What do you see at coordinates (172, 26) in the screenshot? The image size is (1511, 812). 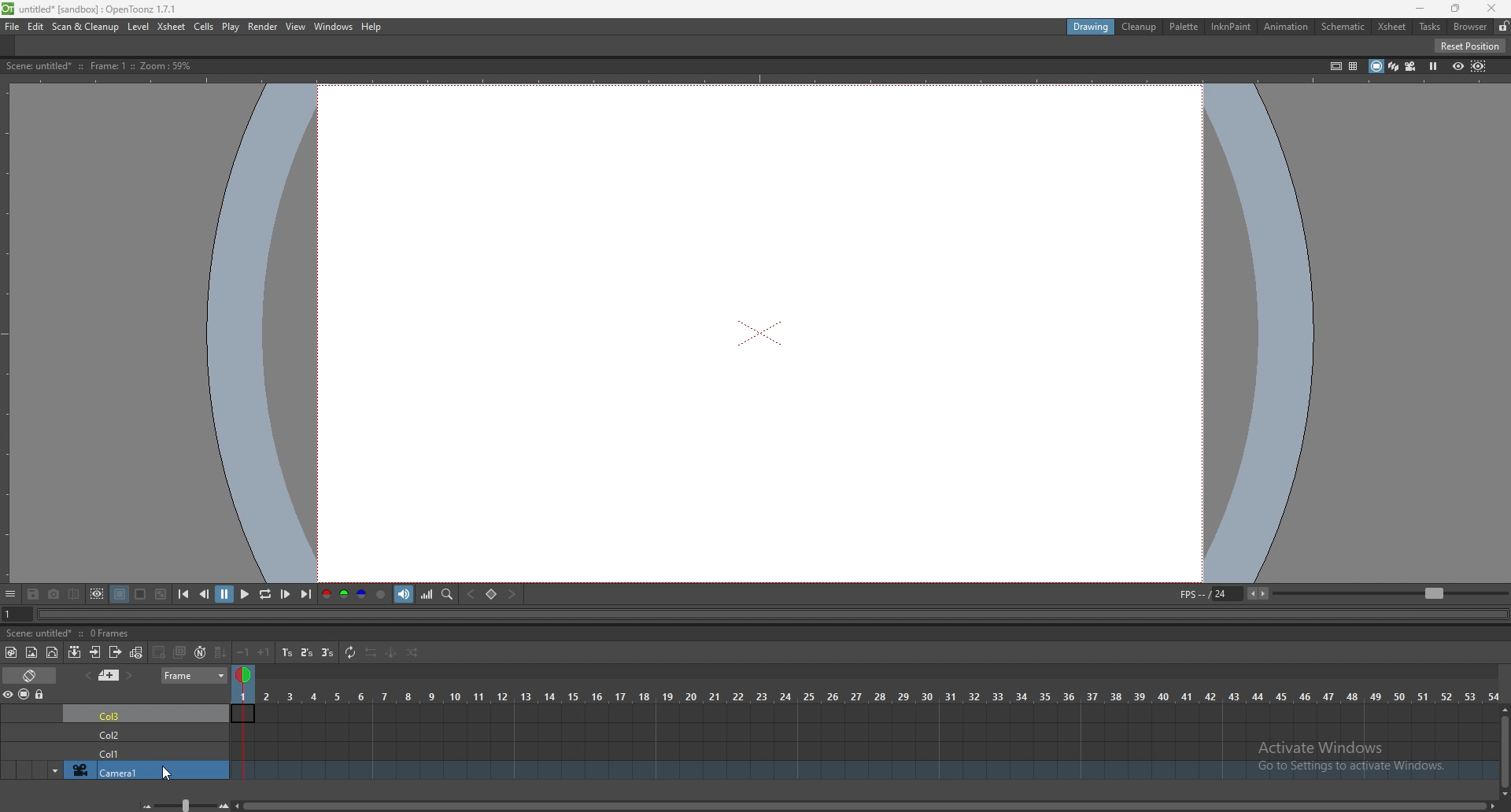 I see `xsheet` at bounding box center [172, 26].